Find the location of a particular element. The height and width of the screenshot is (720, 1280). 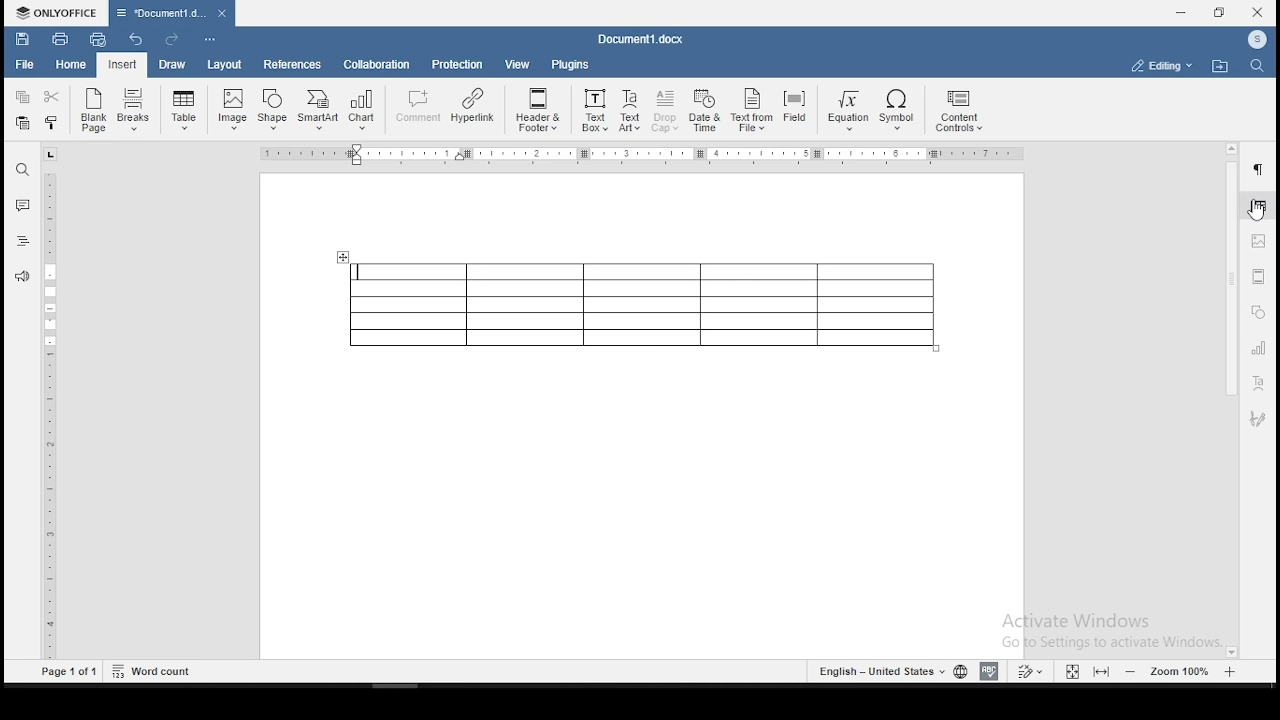

Word count is located at coordinates (152, 671).